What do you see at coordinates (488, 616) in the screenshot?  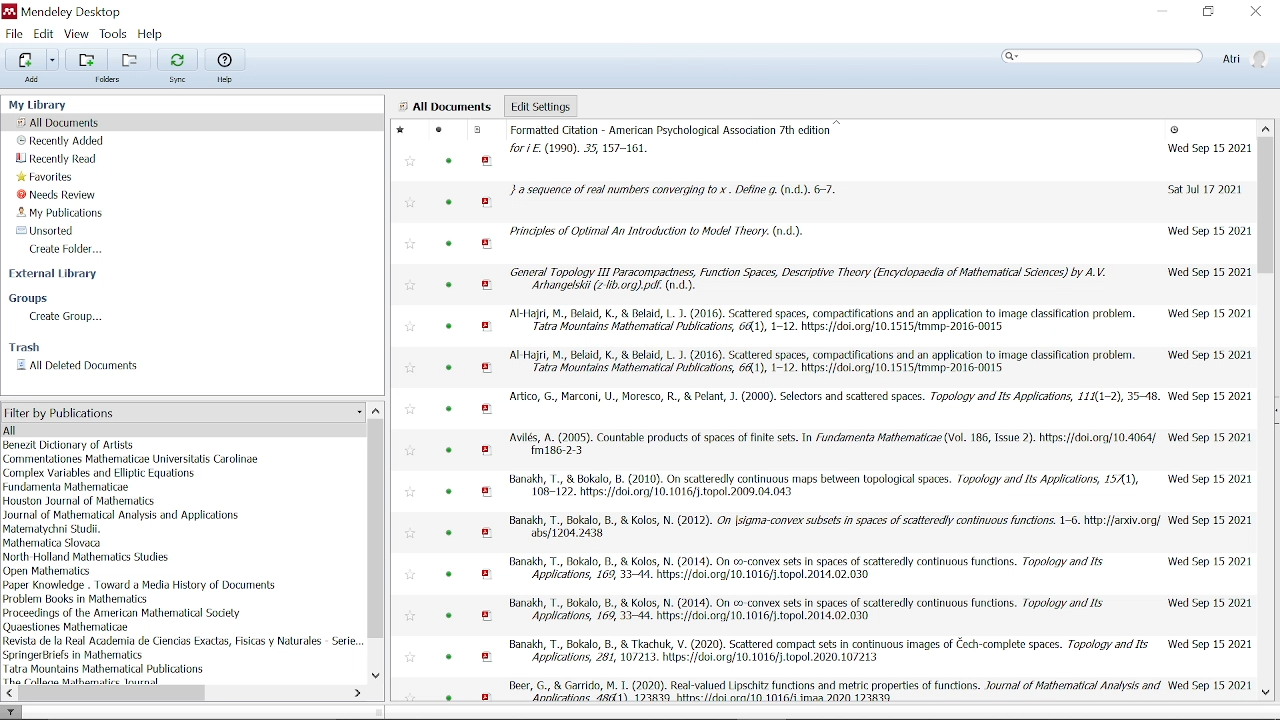 I see `pdf` at bounding box center [488, 616].